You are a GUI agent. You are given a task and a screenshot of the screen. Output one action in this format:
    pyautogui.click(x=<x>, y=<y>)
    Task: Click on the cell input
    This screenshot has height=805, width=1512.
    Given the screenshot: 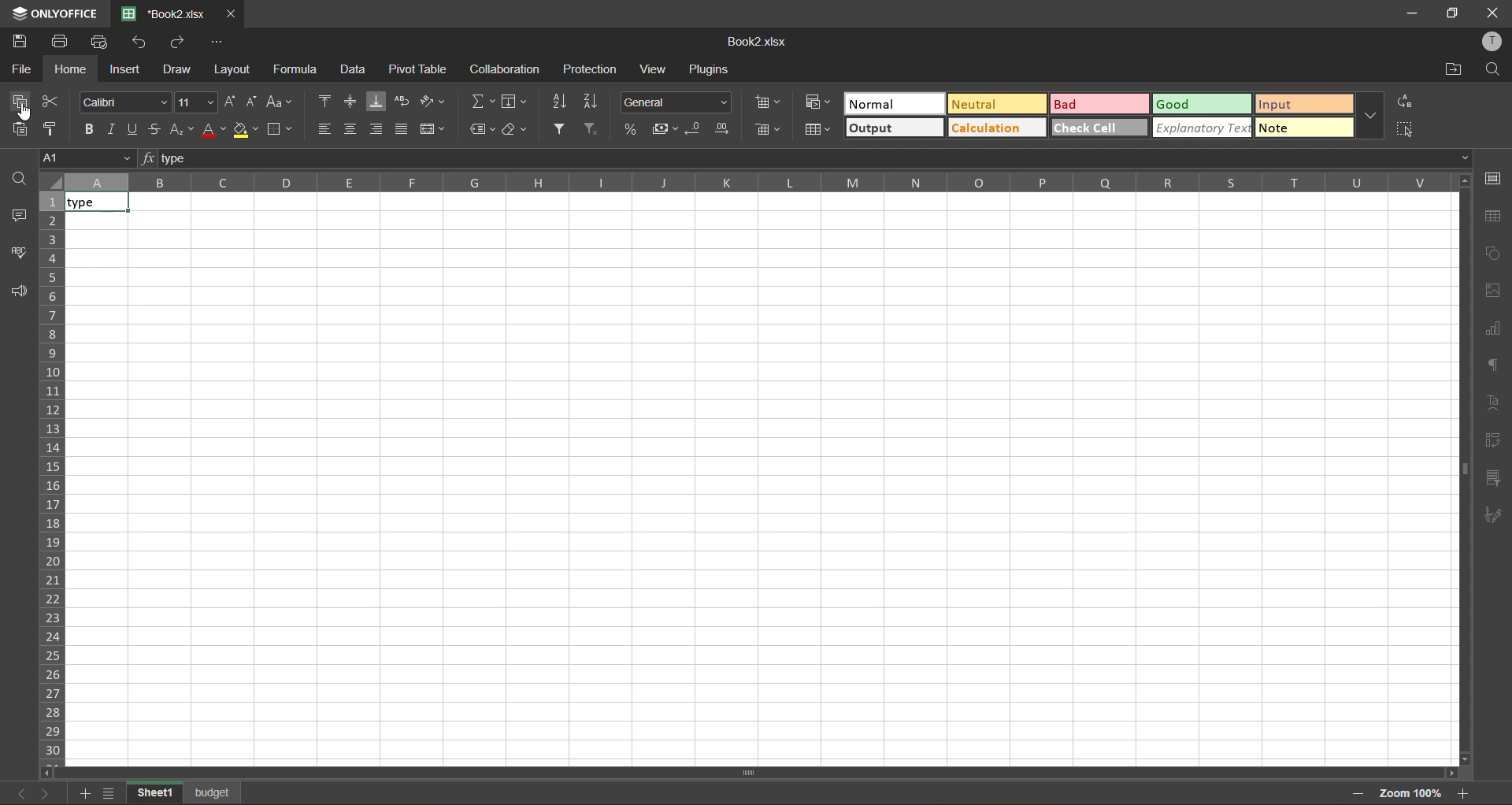 What is the action you would take?
    pyautogui.click(x=765, y=488)
    